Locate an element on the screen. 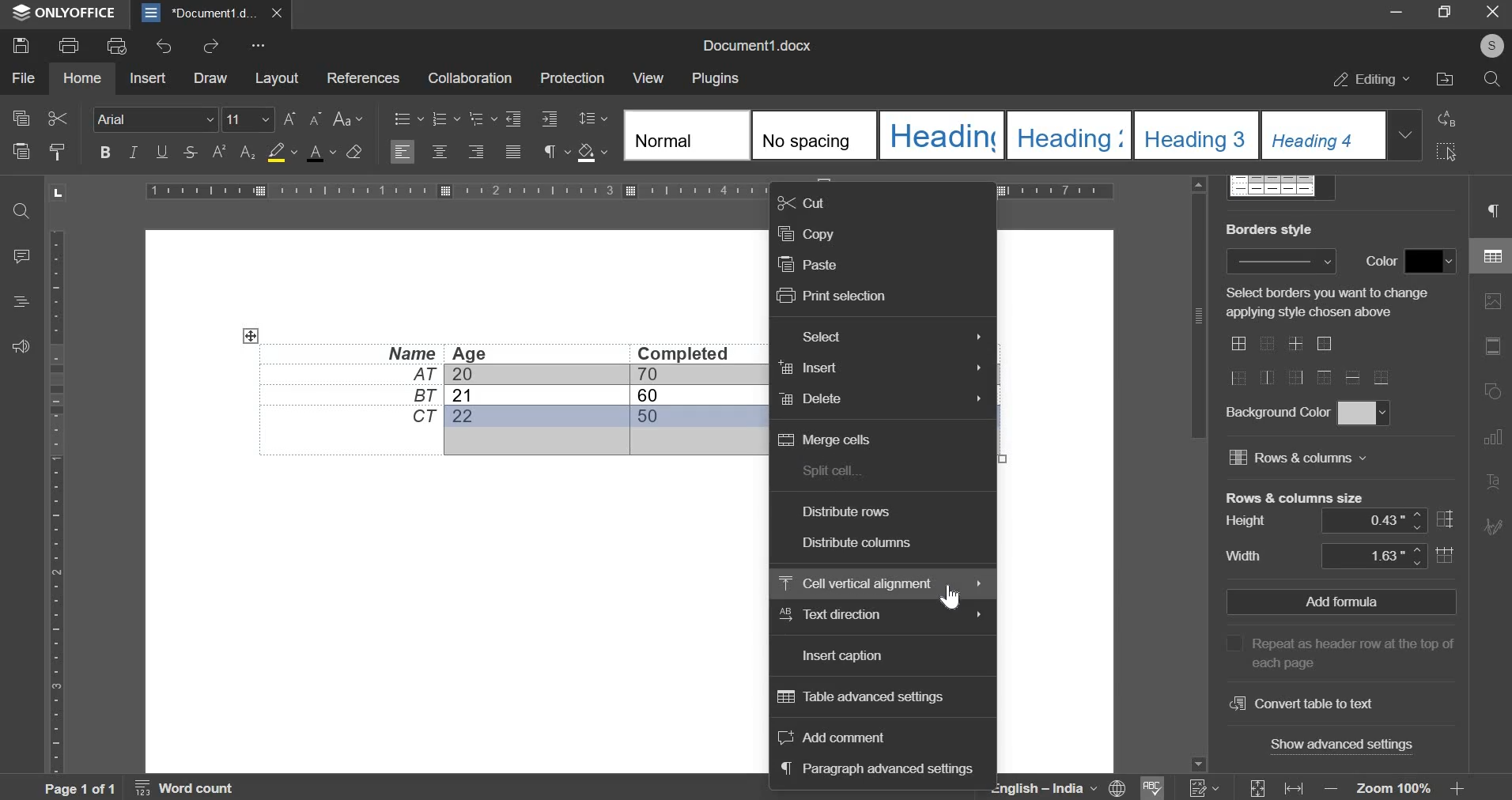 This screenshot has width=1512, height=800. superscript and subscript is located at coordinates (232, 152).